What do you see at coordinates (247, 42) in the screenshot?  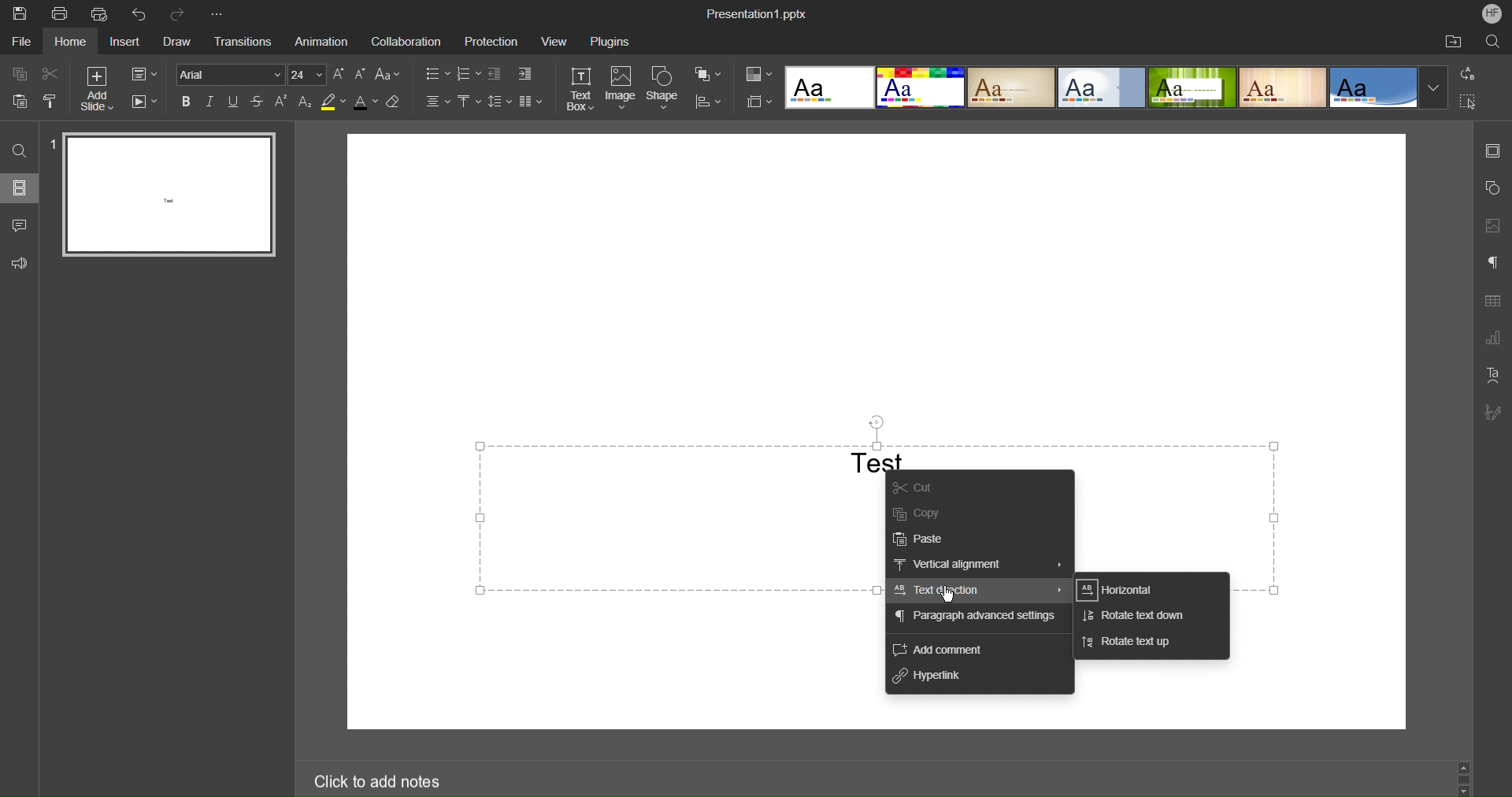 I see `Transitions` at bounding box center [247, 42].